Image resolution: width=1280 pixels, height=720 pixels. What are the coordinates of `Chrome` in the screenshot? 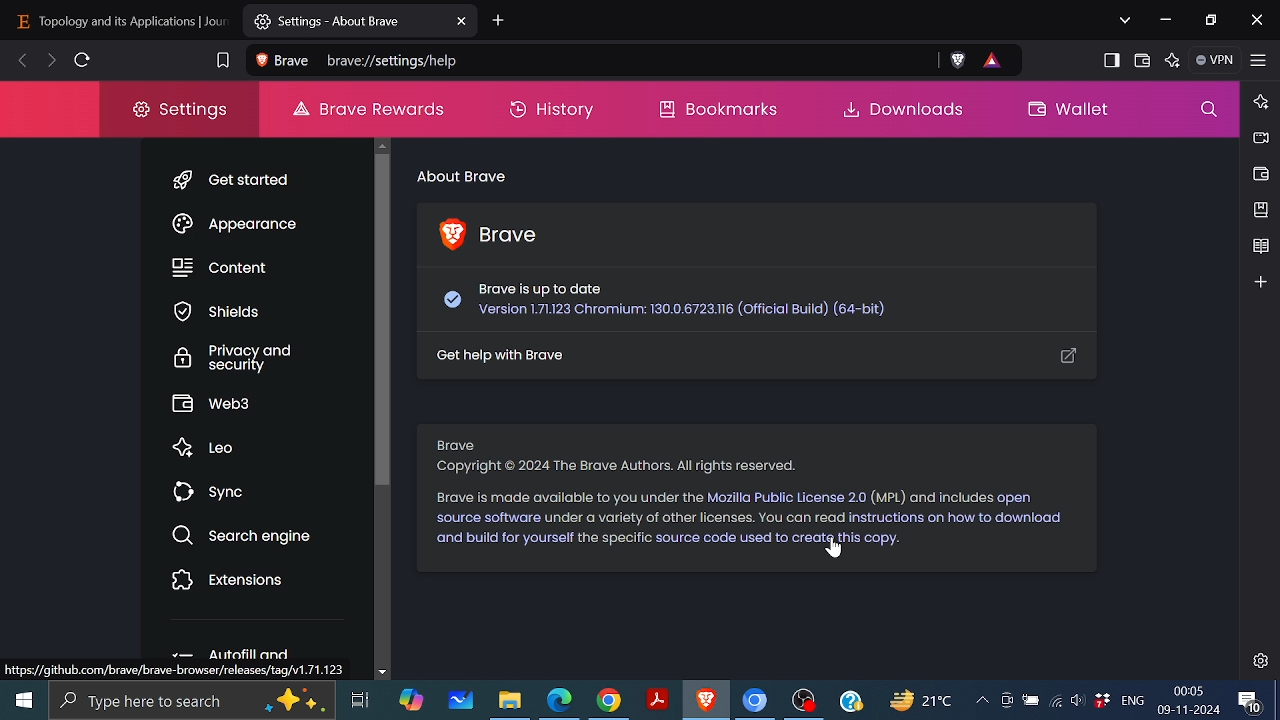 It's located at (609, 702).